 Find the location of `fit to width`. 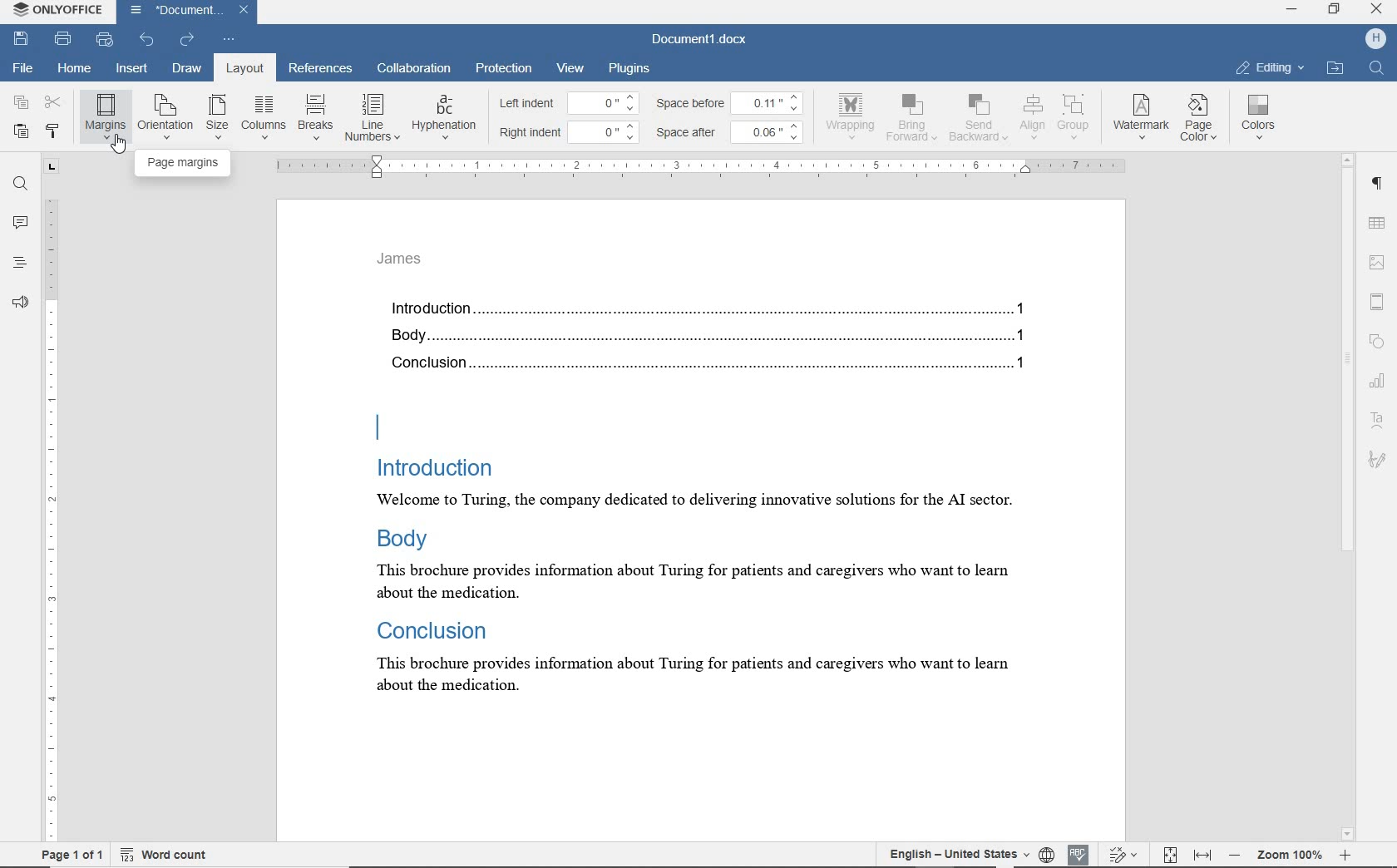

fit to width is located at coordinates (1203, 854).